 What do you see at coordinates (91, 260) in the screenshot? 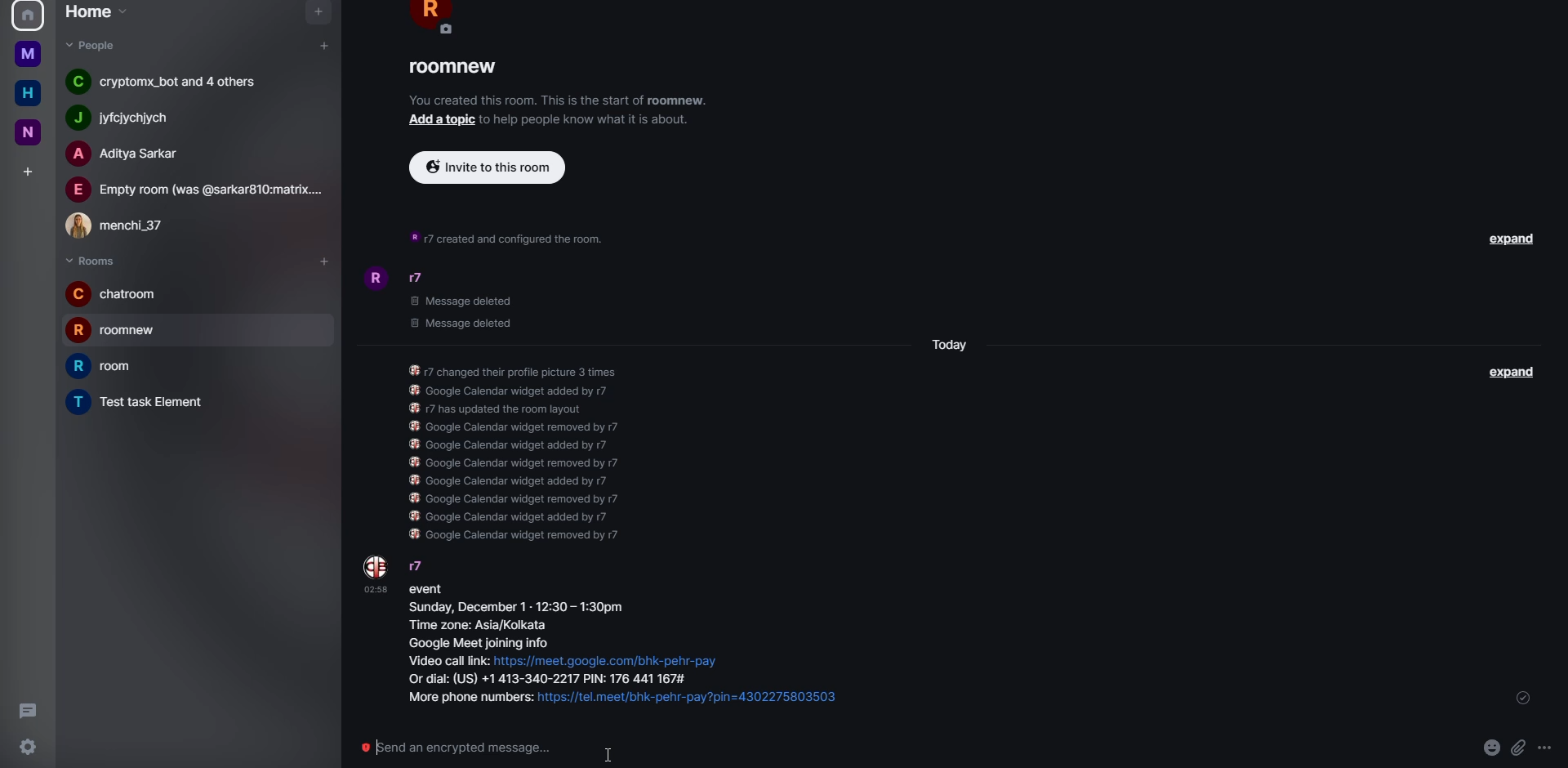
I see `rooms` at bounding box center [91, 260].